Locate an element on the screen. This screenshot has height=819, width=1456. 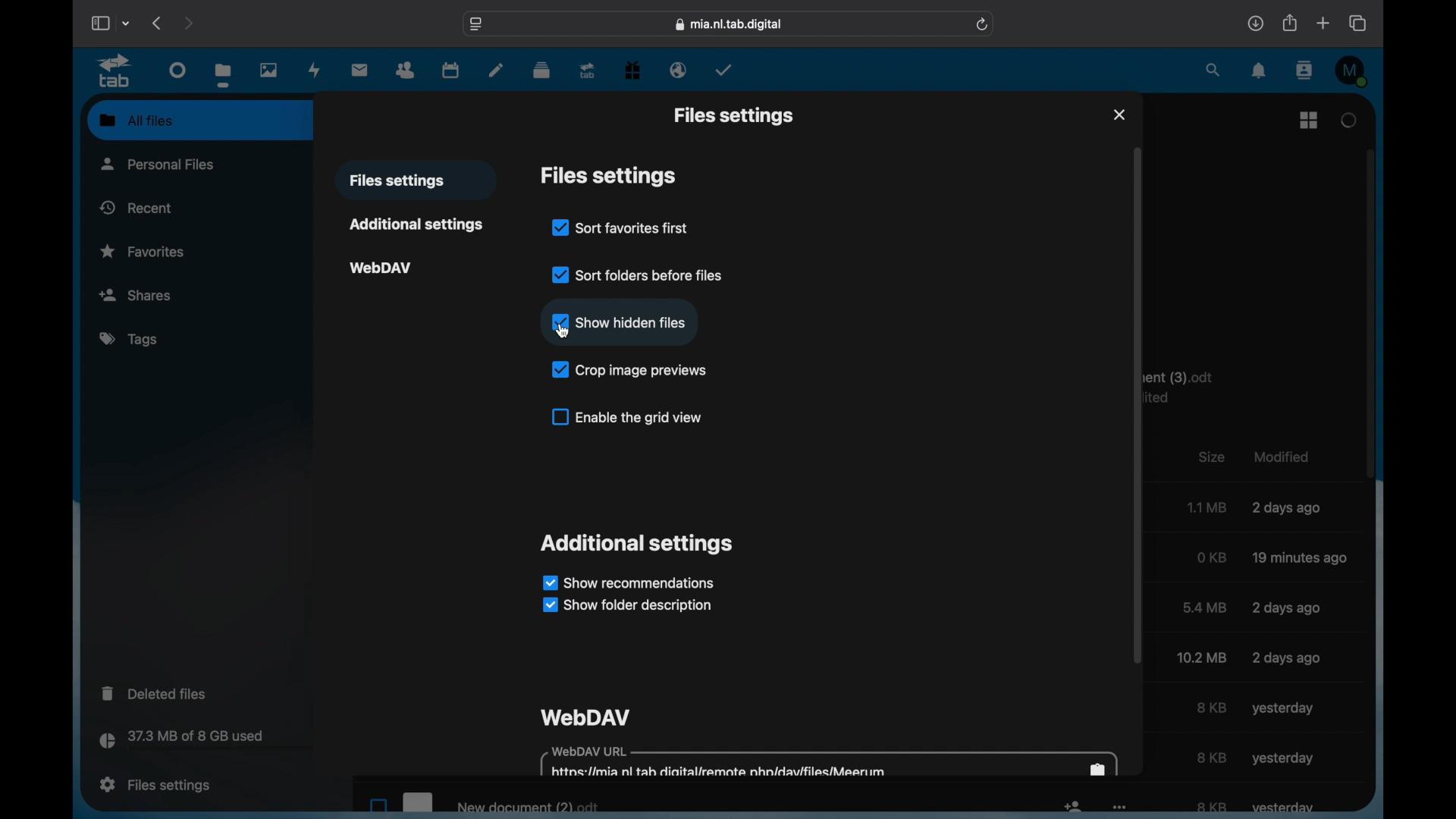
contacts is located at coordinates (406, 71).